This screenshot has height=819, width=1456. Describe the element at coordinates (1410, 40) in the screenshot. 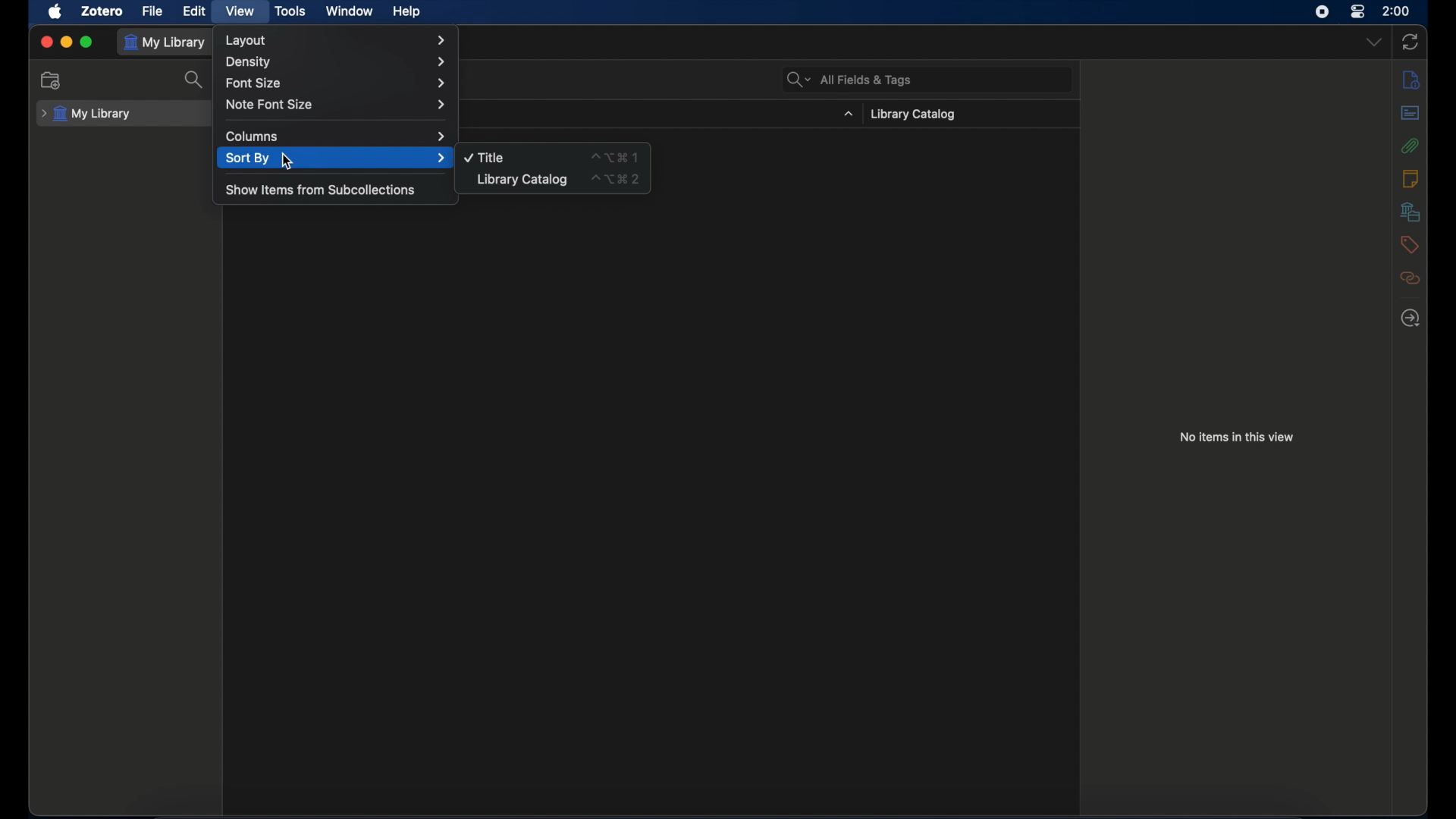

I see `sync` at that location.